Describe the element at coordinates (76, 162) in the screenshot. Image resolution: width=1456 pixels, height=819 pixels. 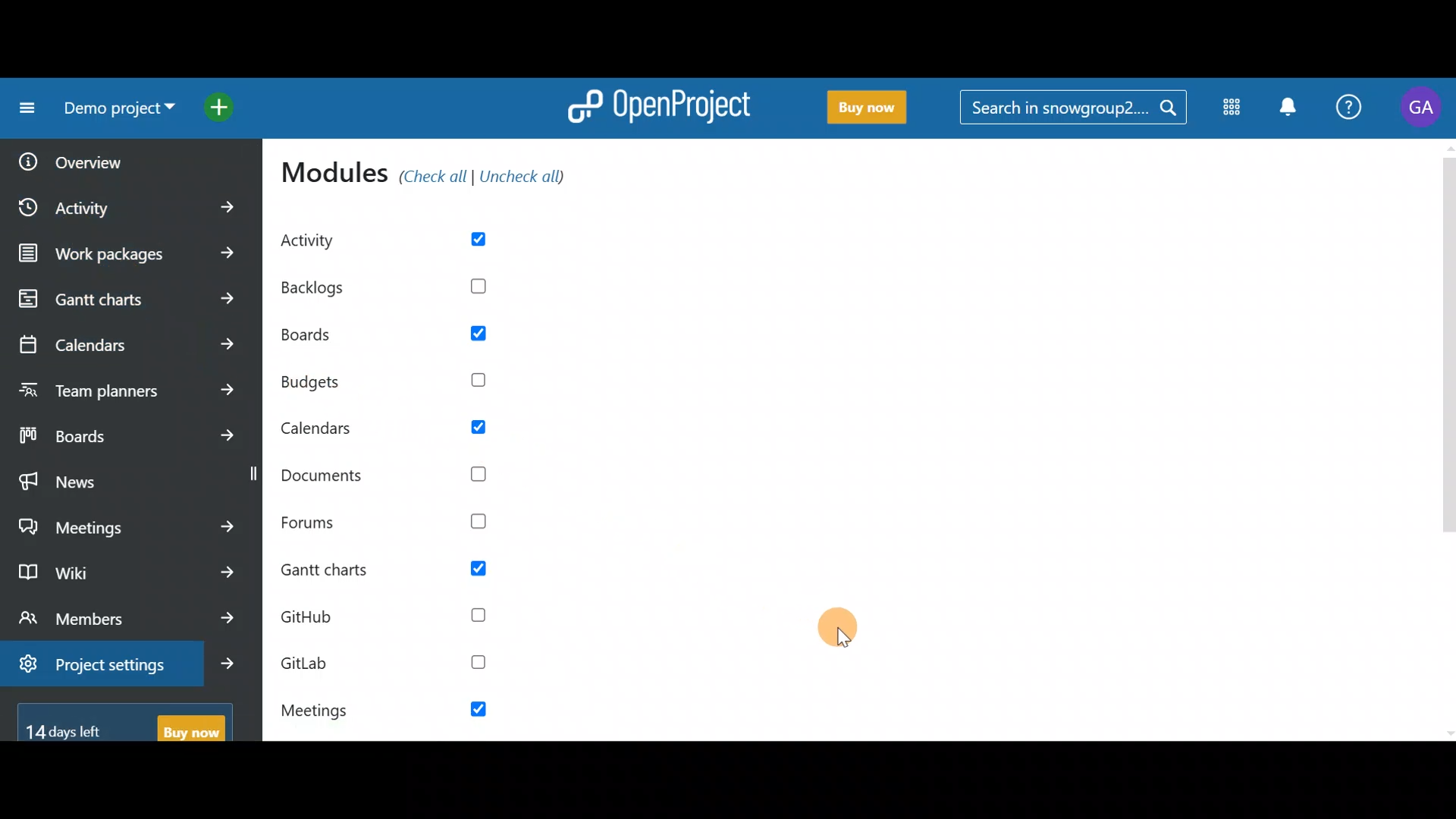
I see `Overview` at that location.